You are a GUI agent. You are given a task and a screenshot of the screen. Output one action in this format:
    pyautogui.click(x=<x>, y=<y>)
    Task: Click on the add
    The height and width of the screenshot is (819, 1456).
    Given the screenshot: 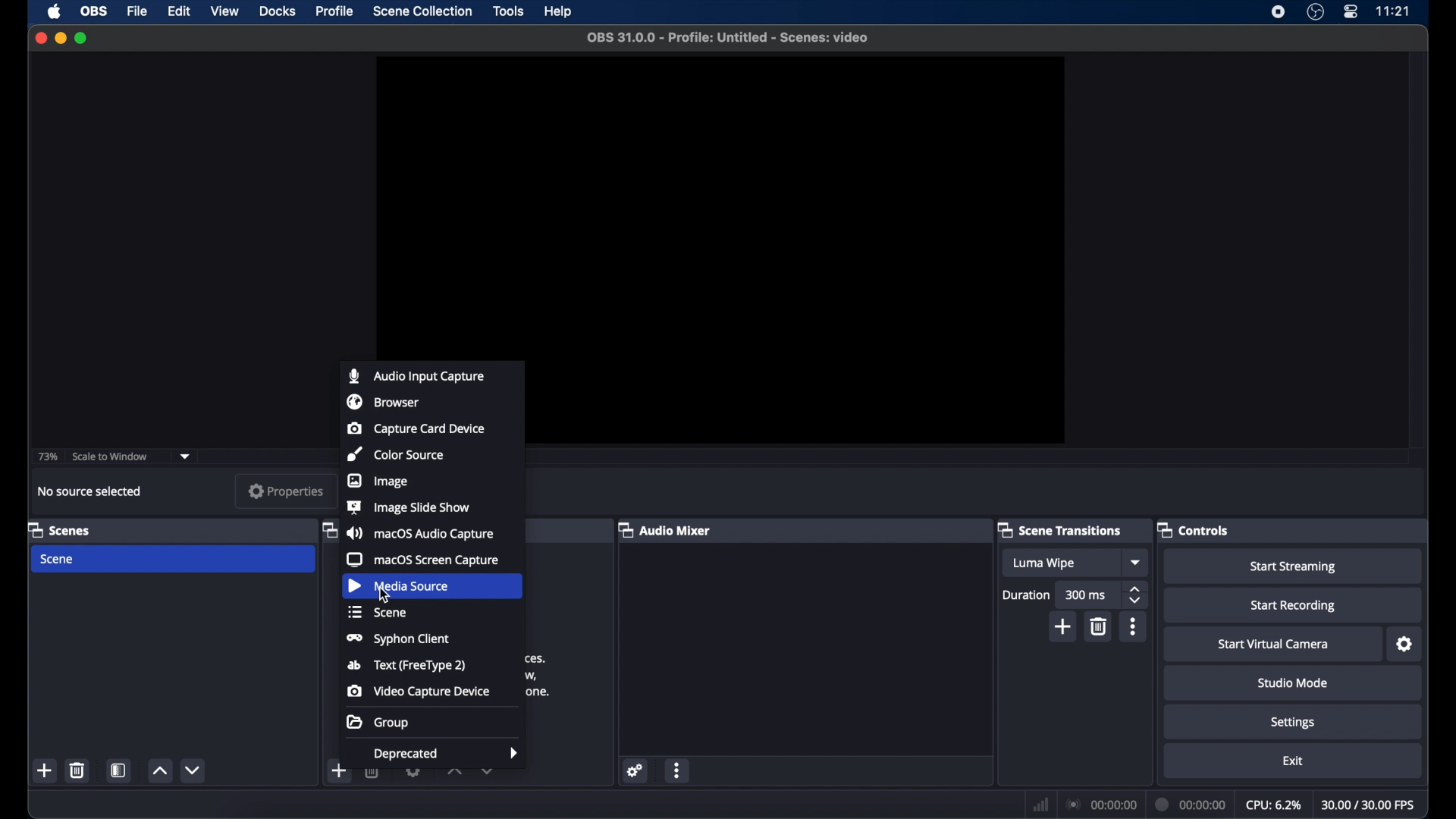 What is the action you would take?
    pyautogui.click(x=1064, y=626)
    